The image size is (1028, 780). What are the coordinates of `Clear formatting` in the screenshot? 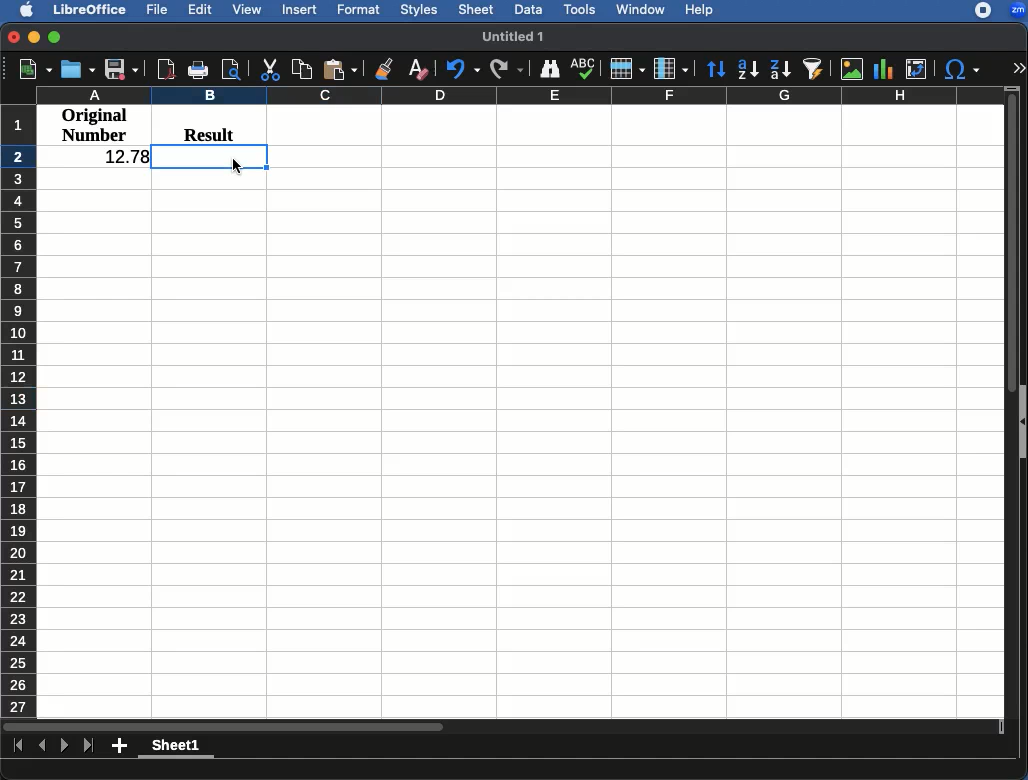 It's located at (418, 66).